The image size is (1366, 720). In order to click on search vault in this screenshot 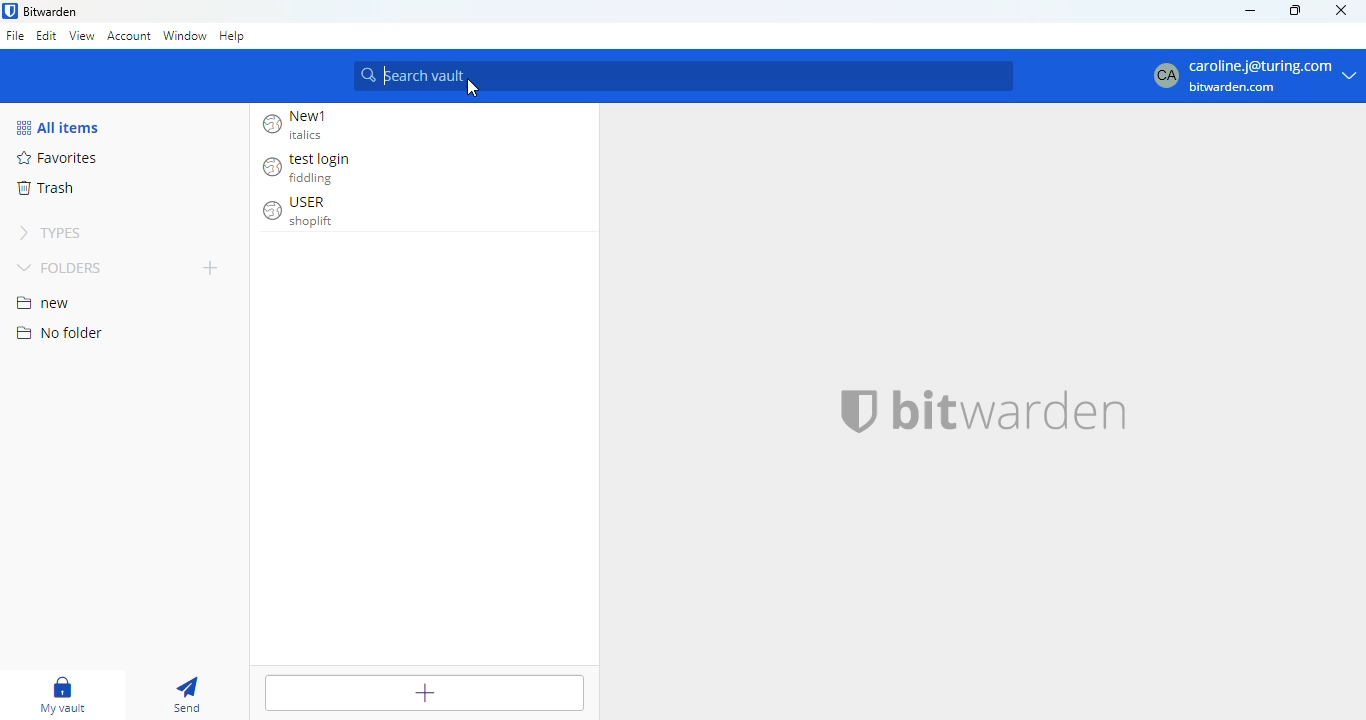, I will do `click(686, 74)`.